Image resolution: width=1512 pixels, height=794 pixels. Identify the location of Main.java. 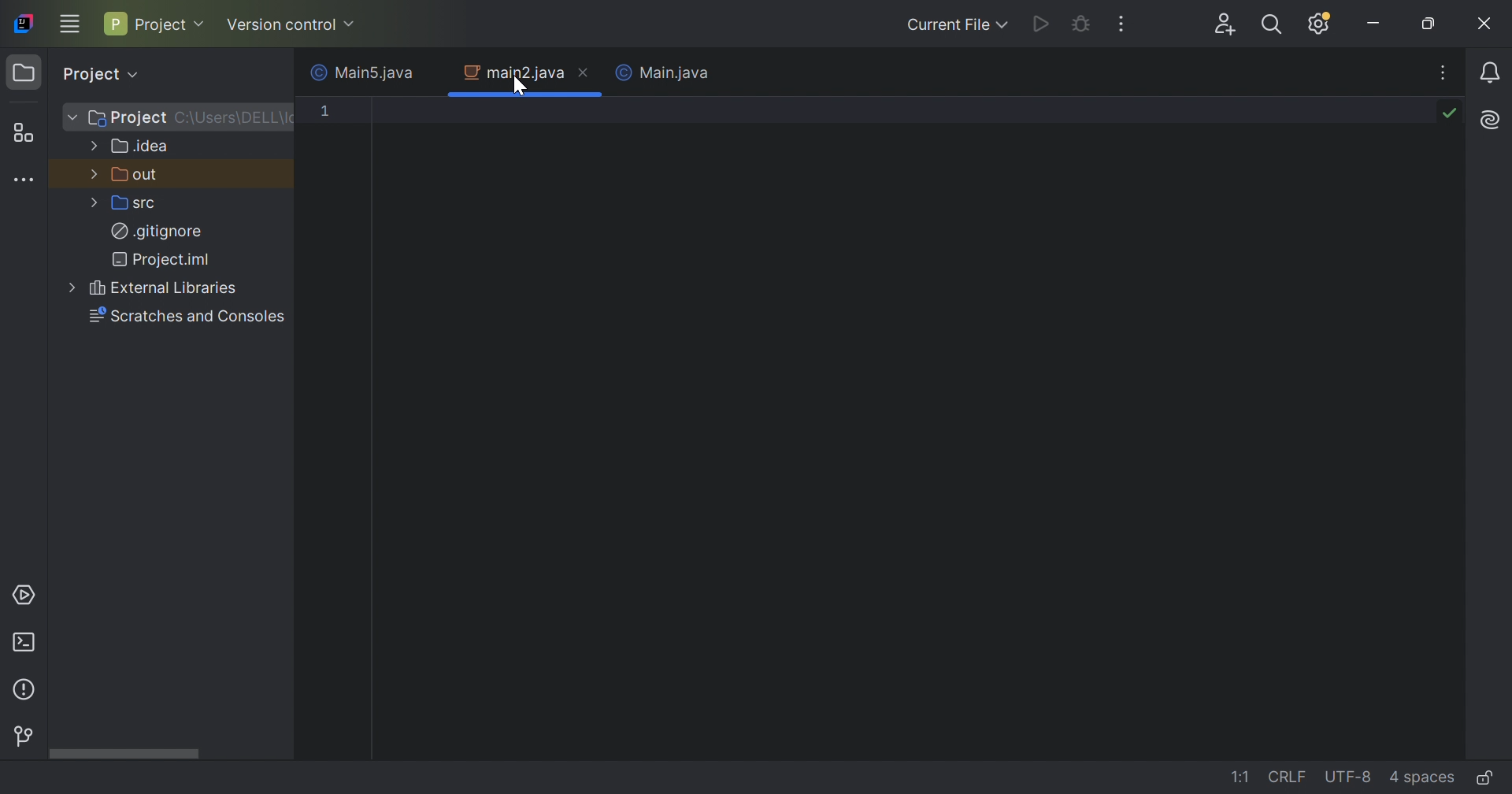
(676, 76).